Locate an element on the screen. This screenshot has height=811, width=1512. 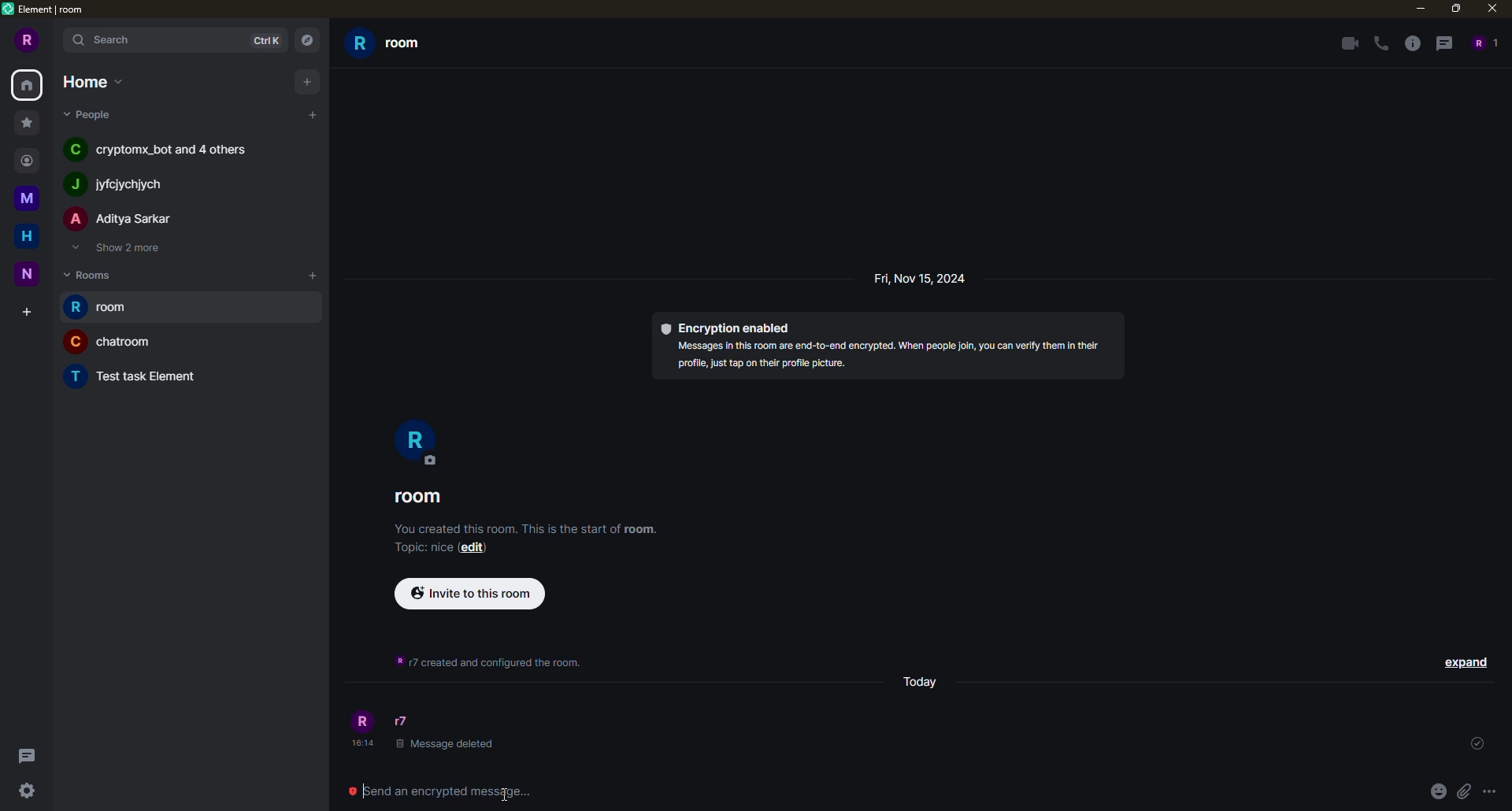
more is located at coordinates (1488, 791).